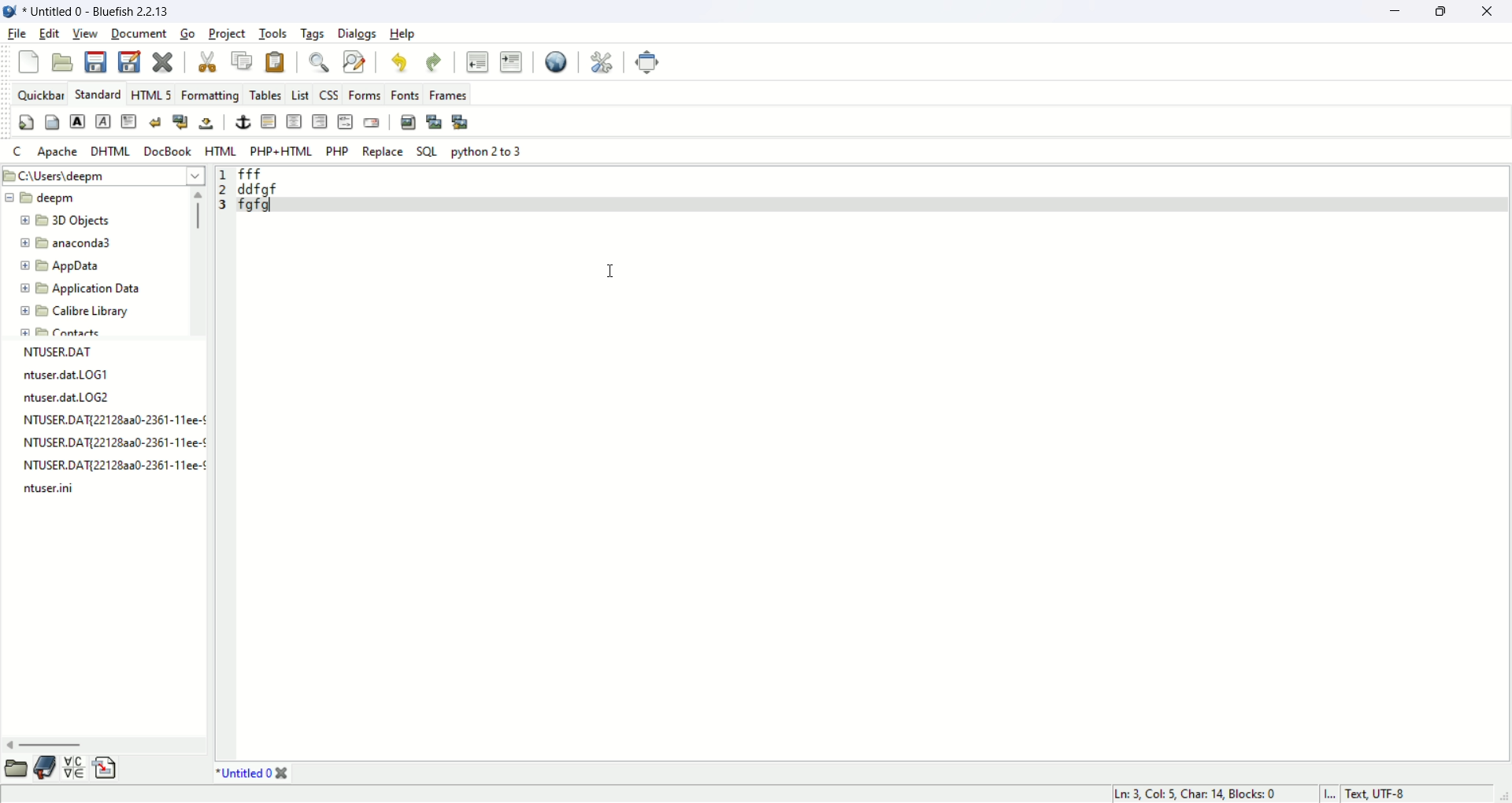 The image size is (1512, 803). Describe the element at coordinates (76, 289) in the screenshot. I see `application Data` at that location.